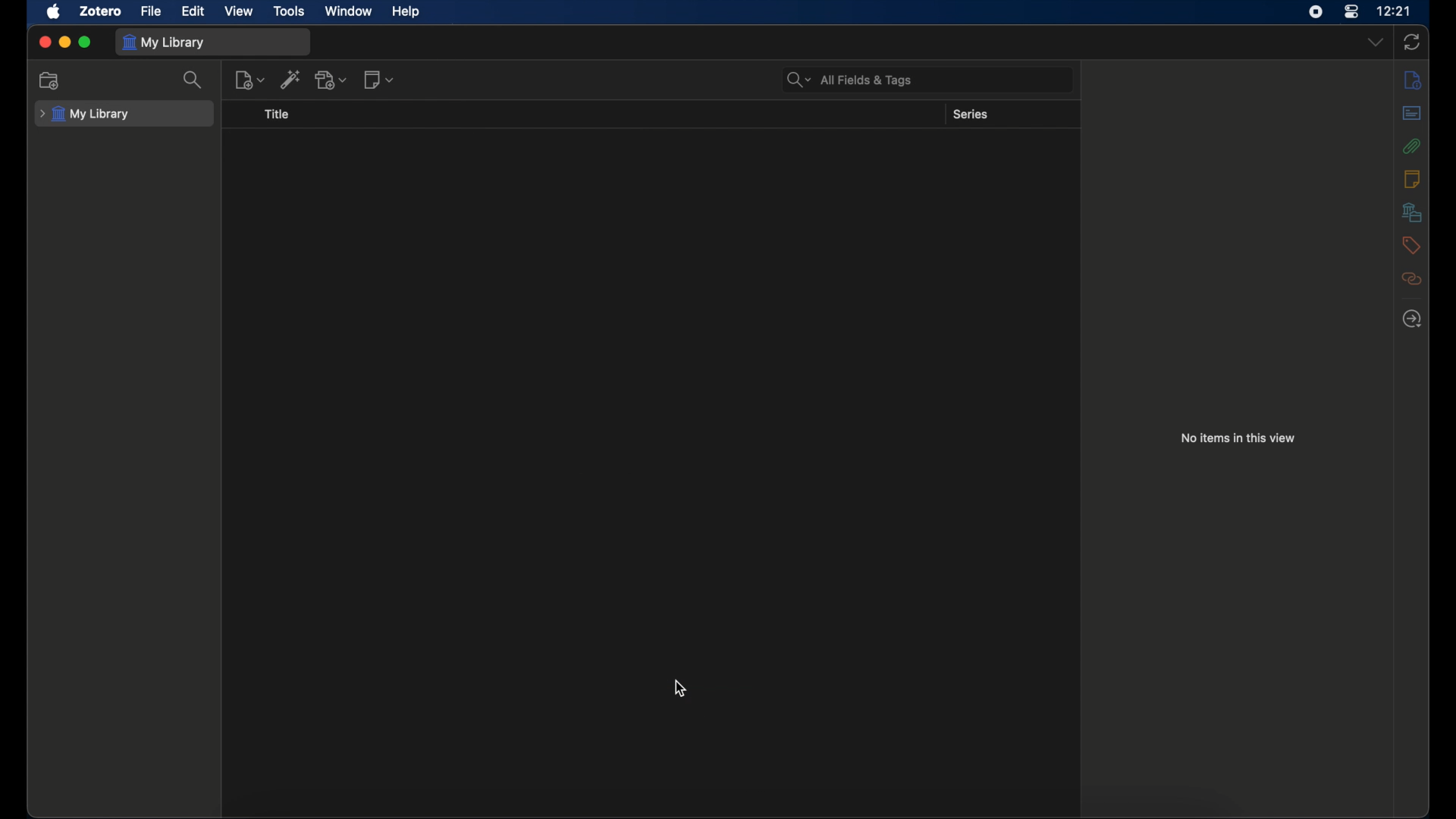 Image resolution: width=1456 pixels, height=819 pixels. Describe the element at coordinates (100, 11) in the screenshot. I see `zotero` at that location.